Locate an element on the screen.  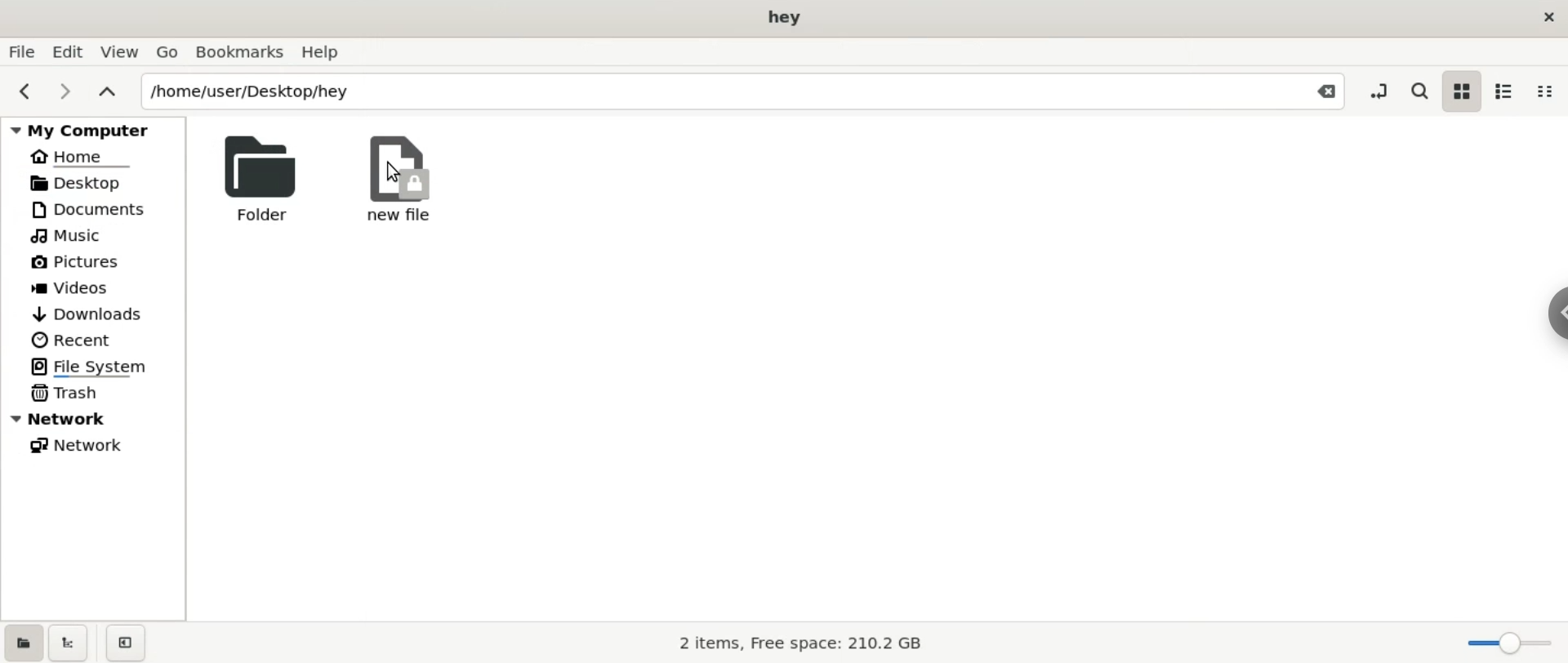
Edit is located at coordinates (69, 51).